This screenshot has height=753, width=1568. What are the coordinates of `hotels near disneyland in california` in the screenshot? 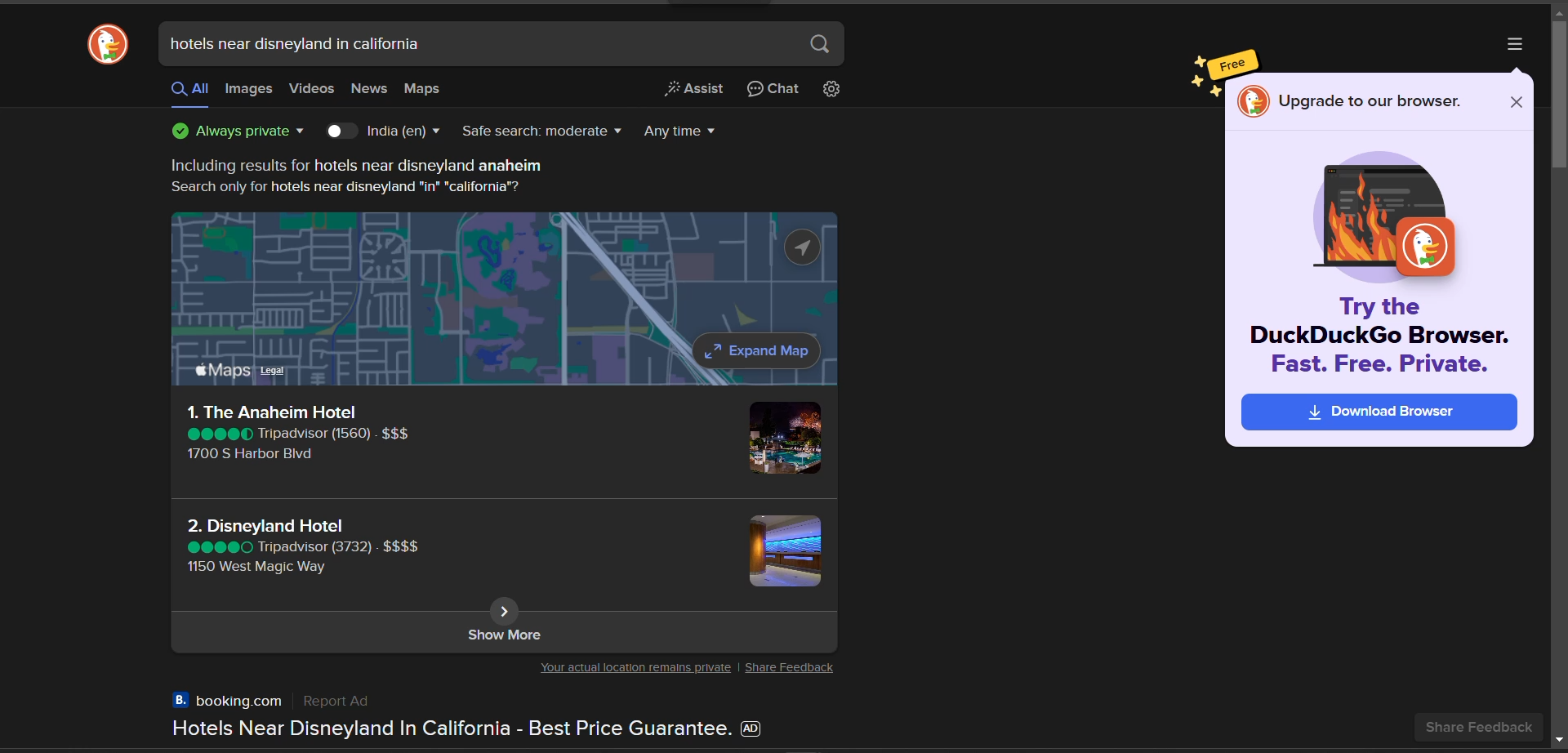 It's located at (296, 43).